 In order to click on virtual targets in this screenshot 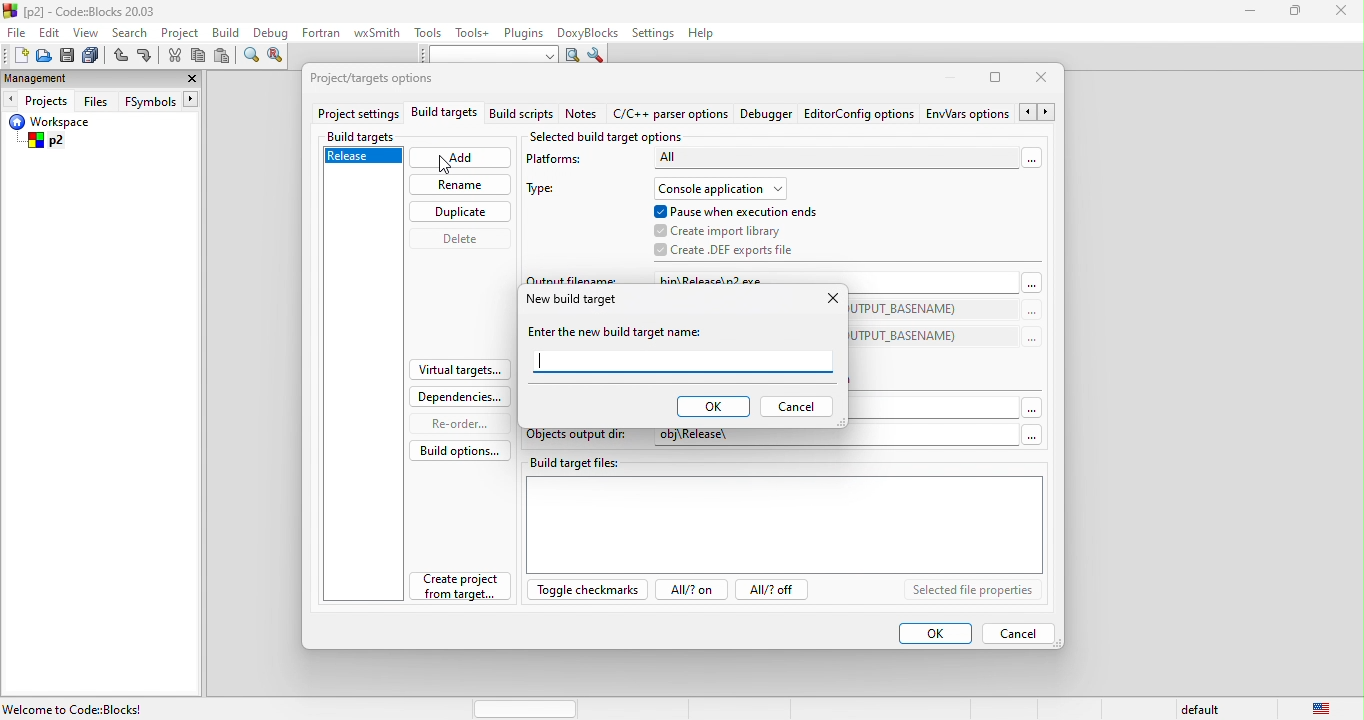, I will do `click(461, 367)`.